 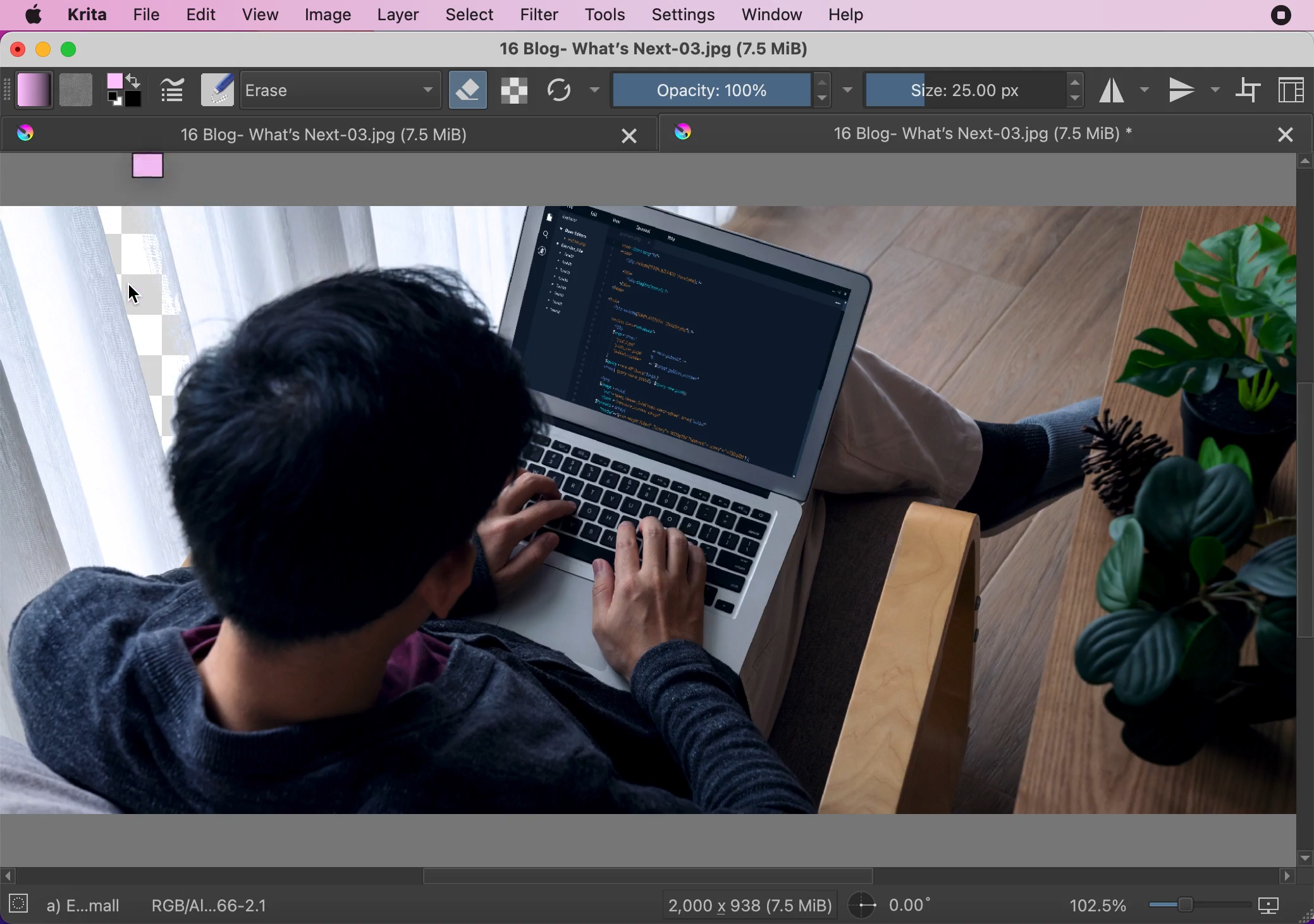 I want to click on 2,000 x 938 (7.5 MiB), so click(x=743, y=904).